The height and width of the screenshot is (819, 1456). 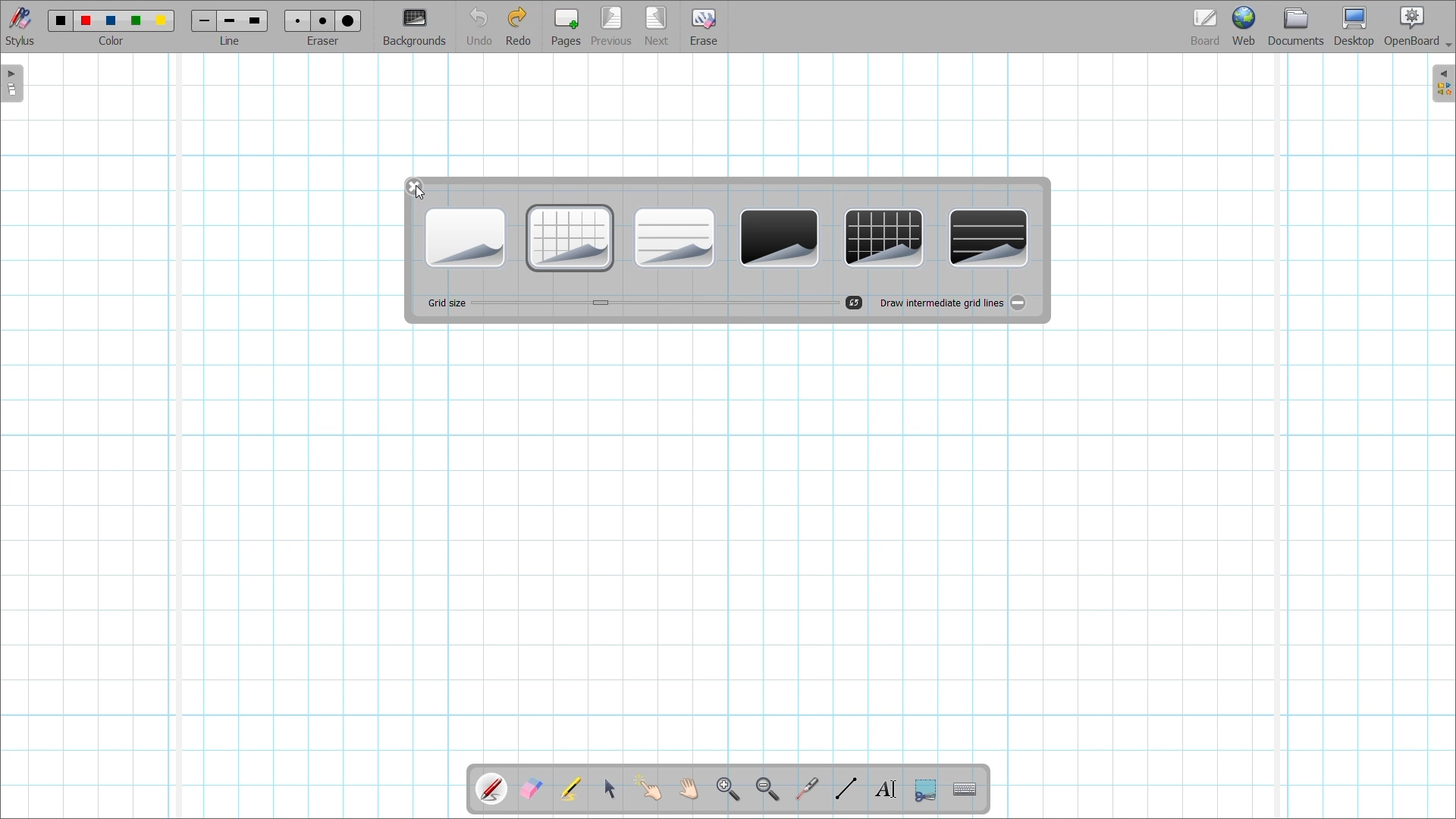 What do you see at coordinates (883, 238) in the screenshot?
I see `Grid dark background` at bounding box center [883, 238].